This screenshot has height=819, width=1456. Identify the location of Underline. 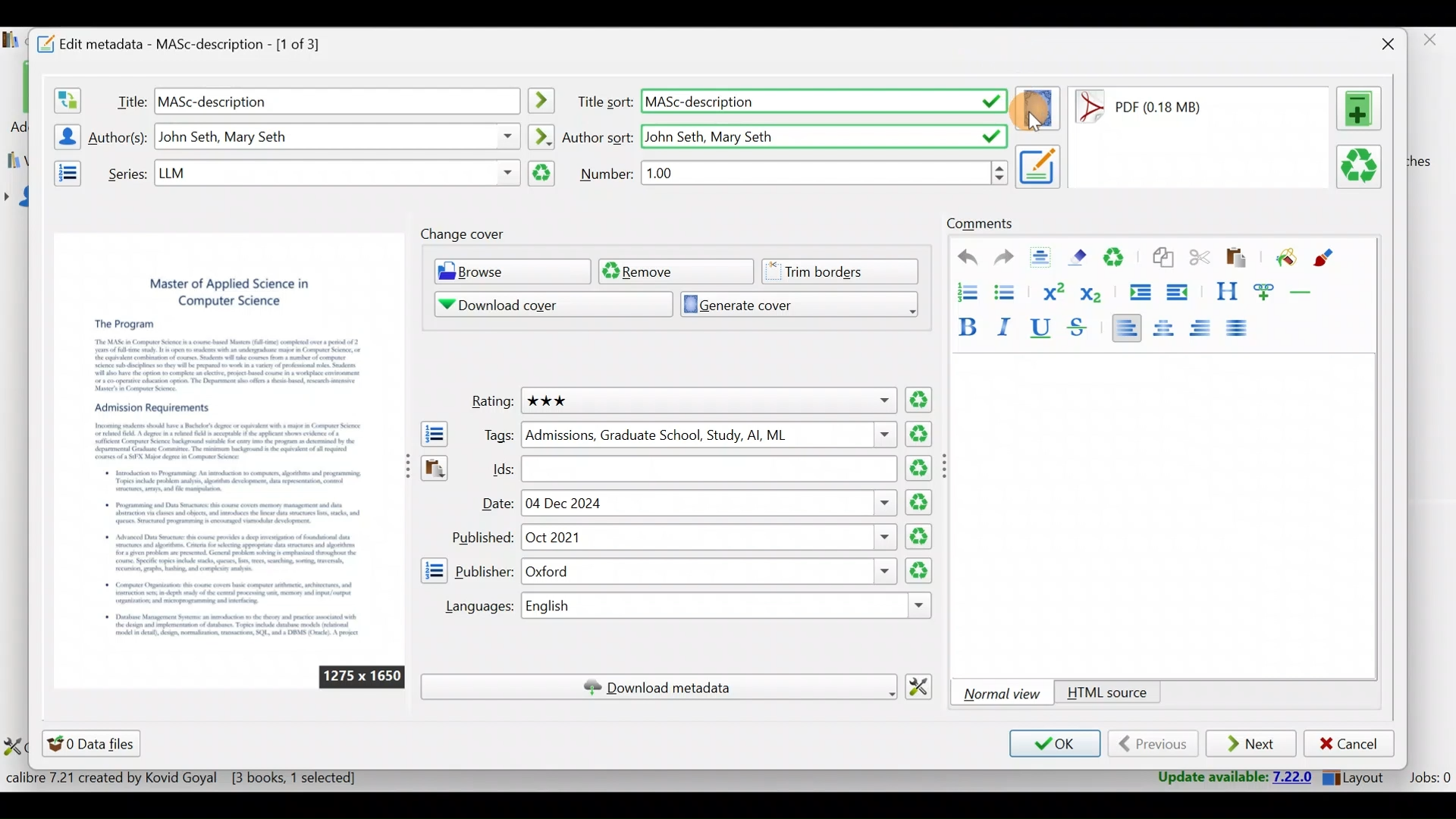
(1045, 329).